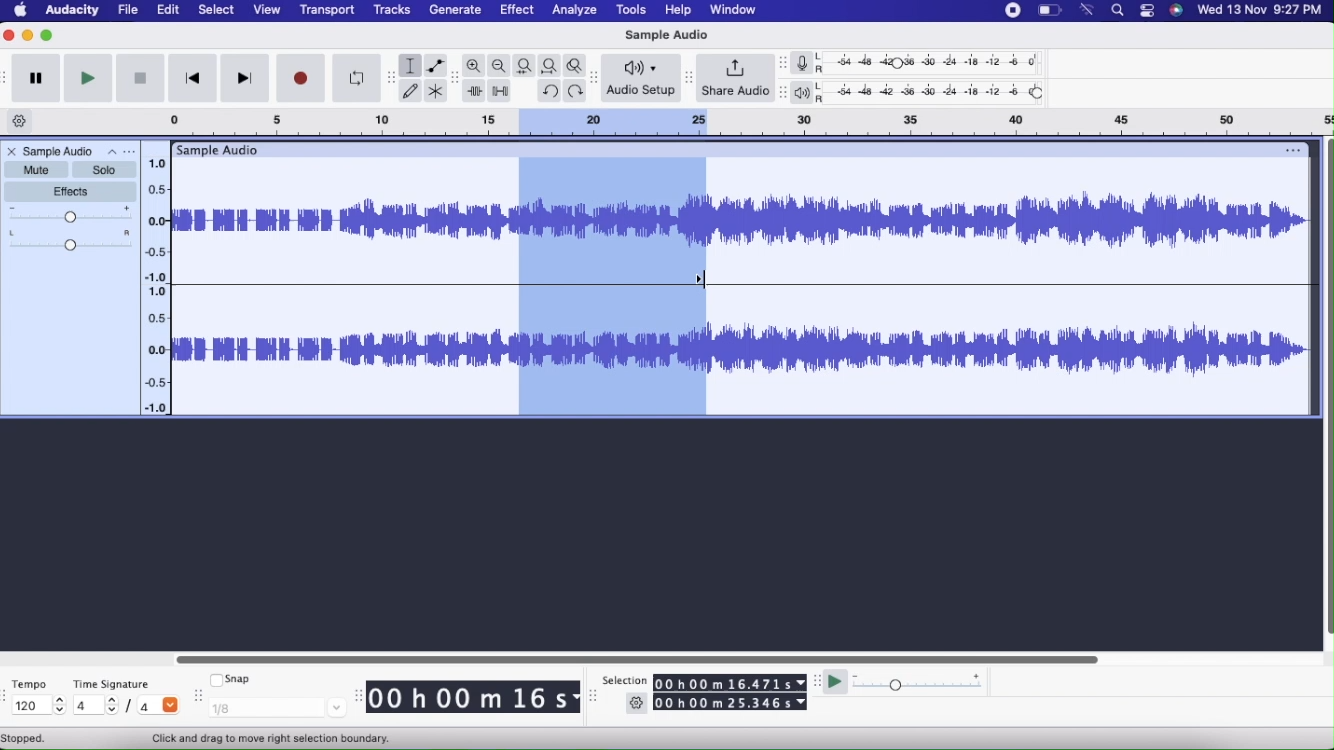 The image size is (1334, 750). I want to click on Redo, so click(578, 91).